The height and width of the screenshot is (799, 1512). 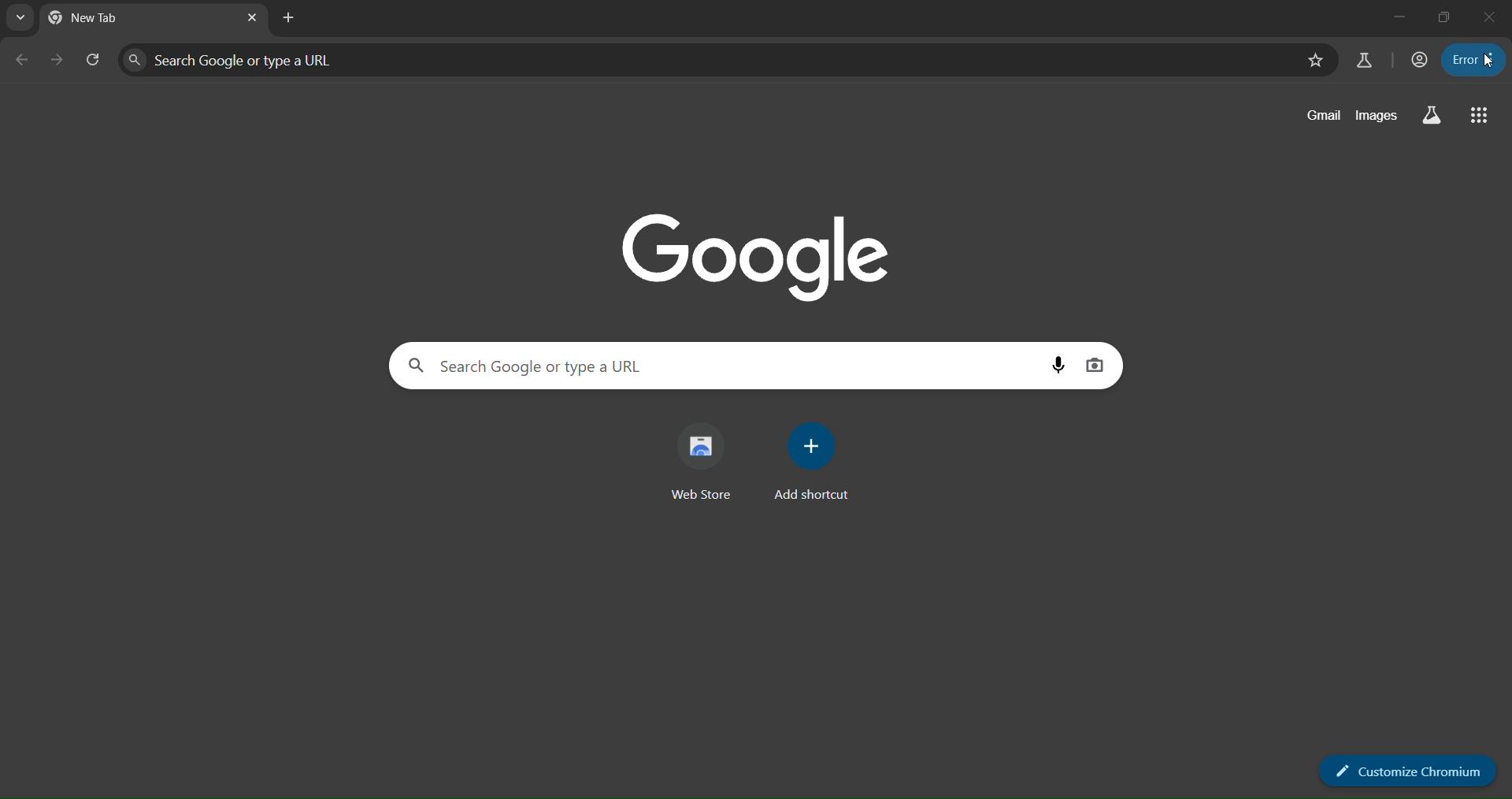 What do you see at coordinates (1315, 61) in the screenshot?
I see `bookmark page` at bounding box center [1315, 61].